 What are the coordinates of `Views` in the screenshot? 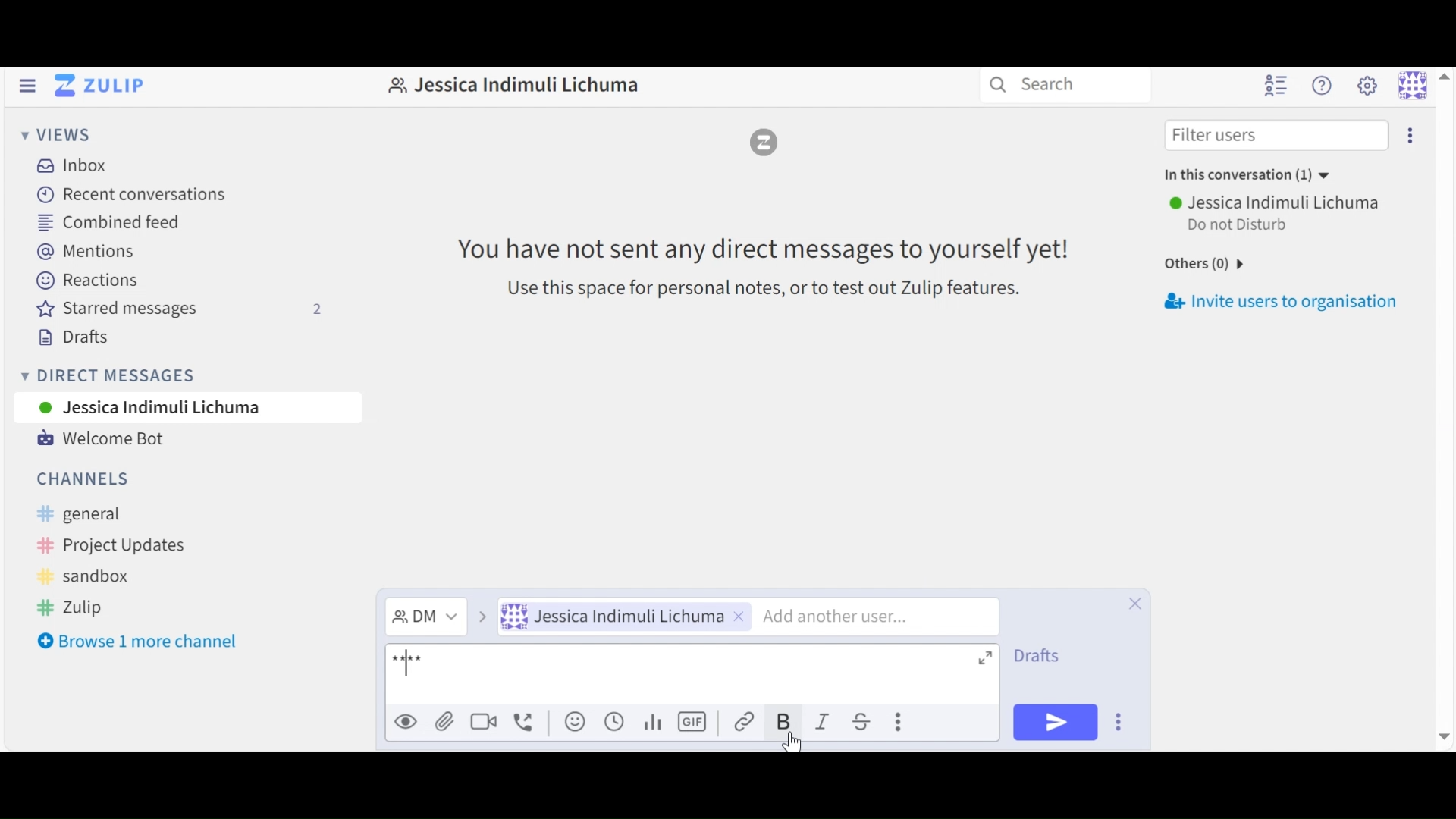 It's located at (58, 136).